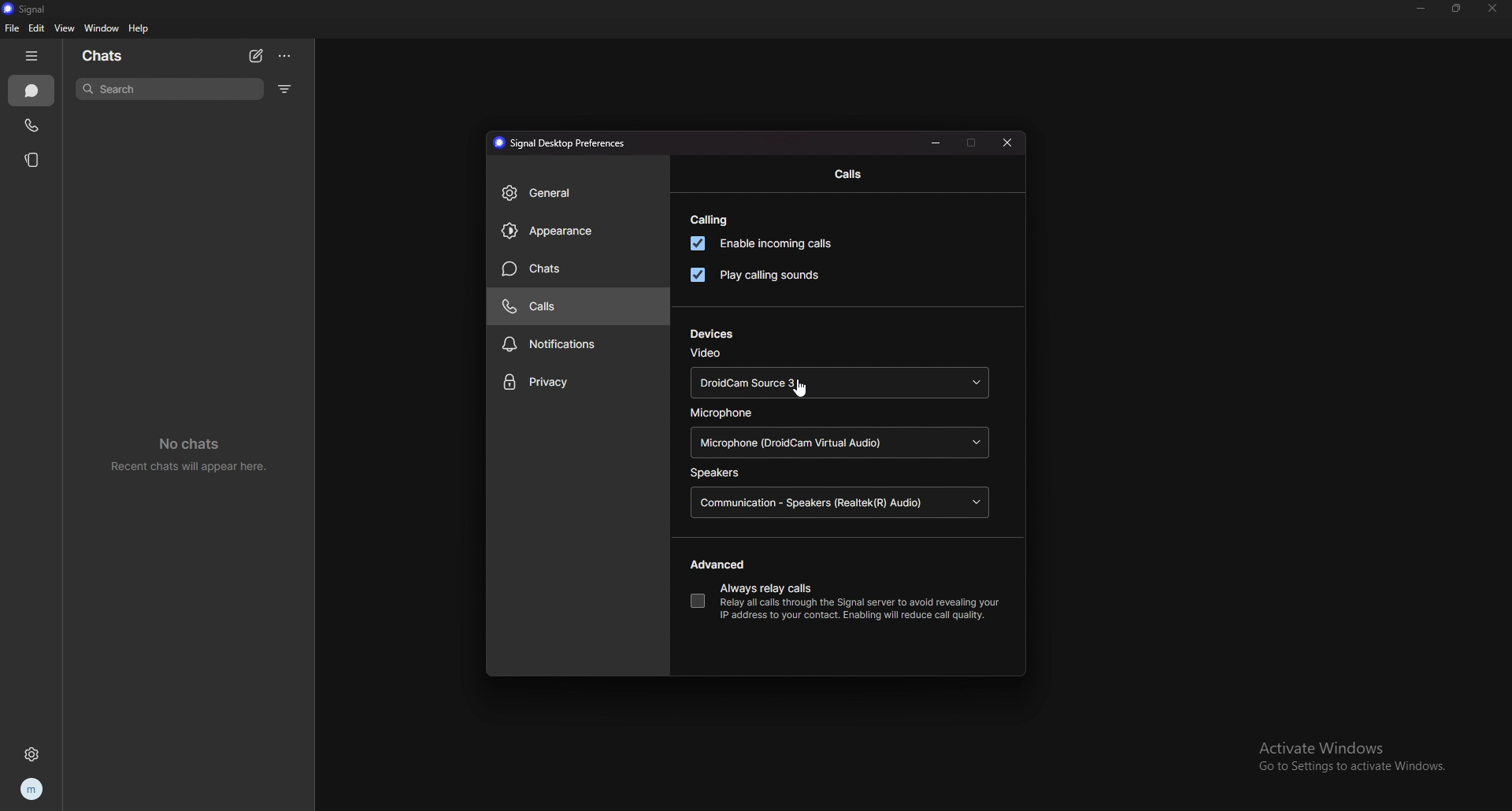 Image resolution: width=1512 pixels, height=811 pixels. I want to click on file, so click(11, 28).